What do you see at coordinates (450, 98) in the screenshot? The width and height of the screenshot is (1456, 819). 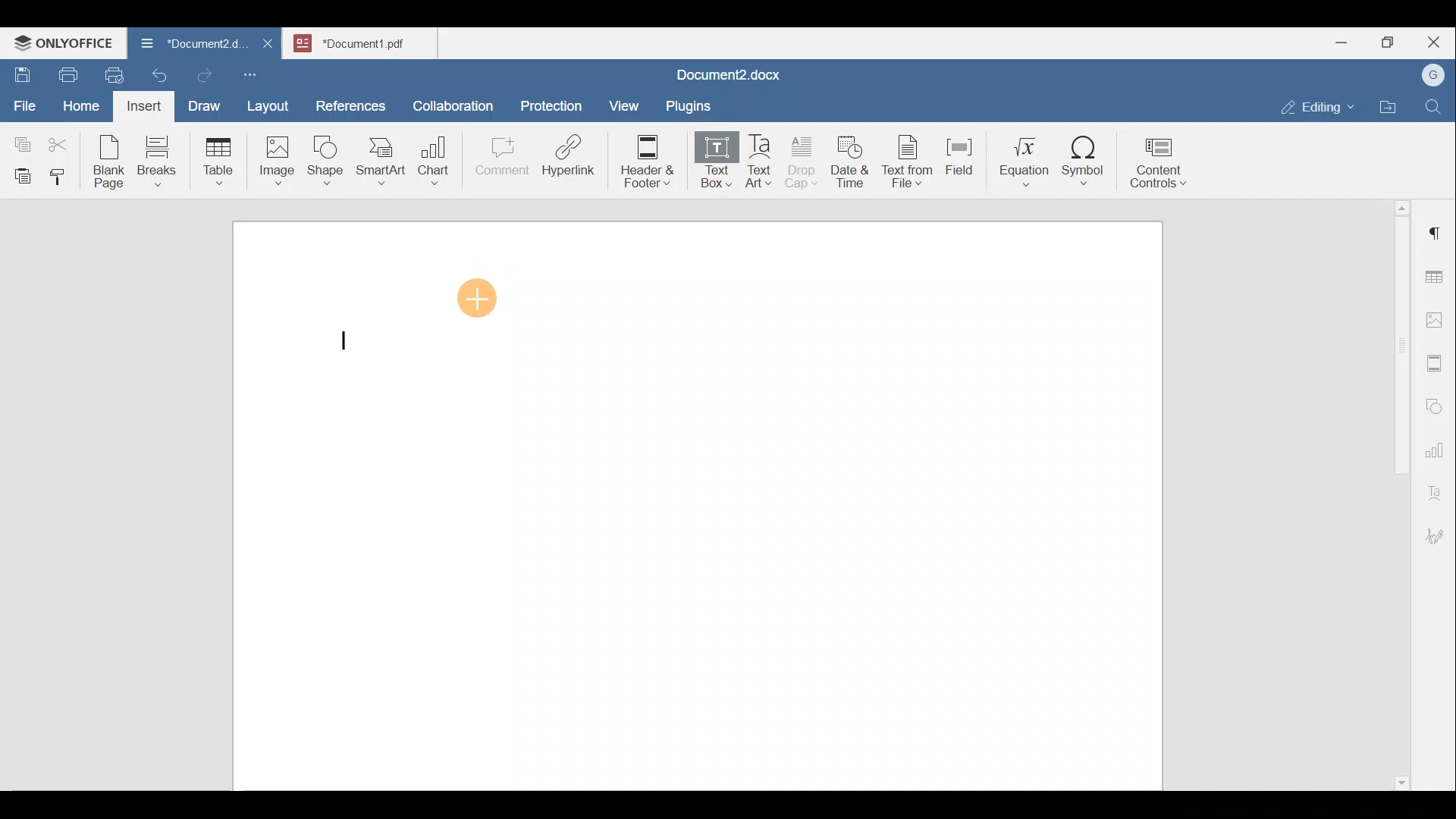 I see `Collaboration` at bounding box center [450, 98].